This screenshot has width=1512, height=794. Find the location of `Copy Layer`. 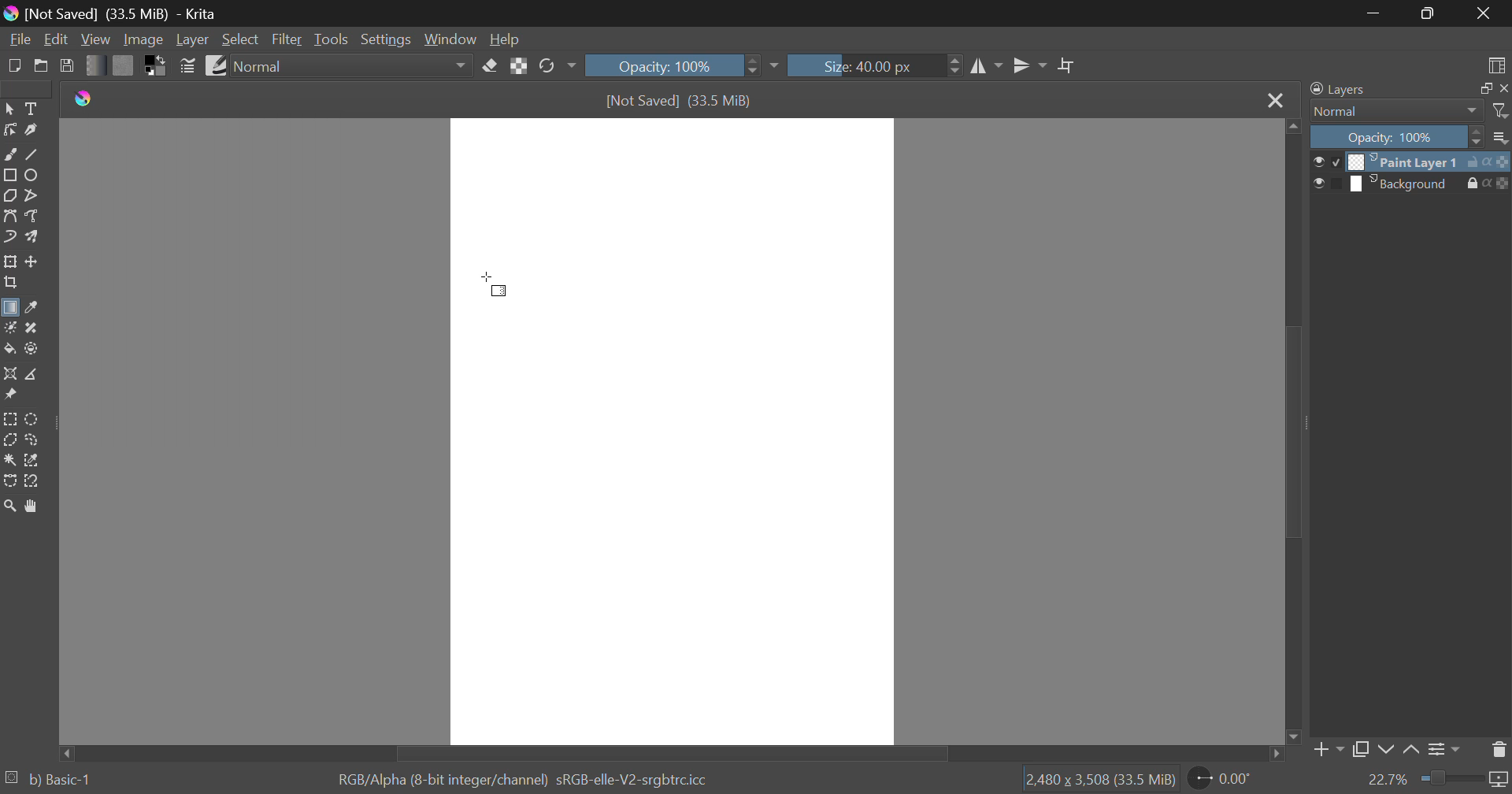

Copy Layer is located at coordinates (1361, 752).